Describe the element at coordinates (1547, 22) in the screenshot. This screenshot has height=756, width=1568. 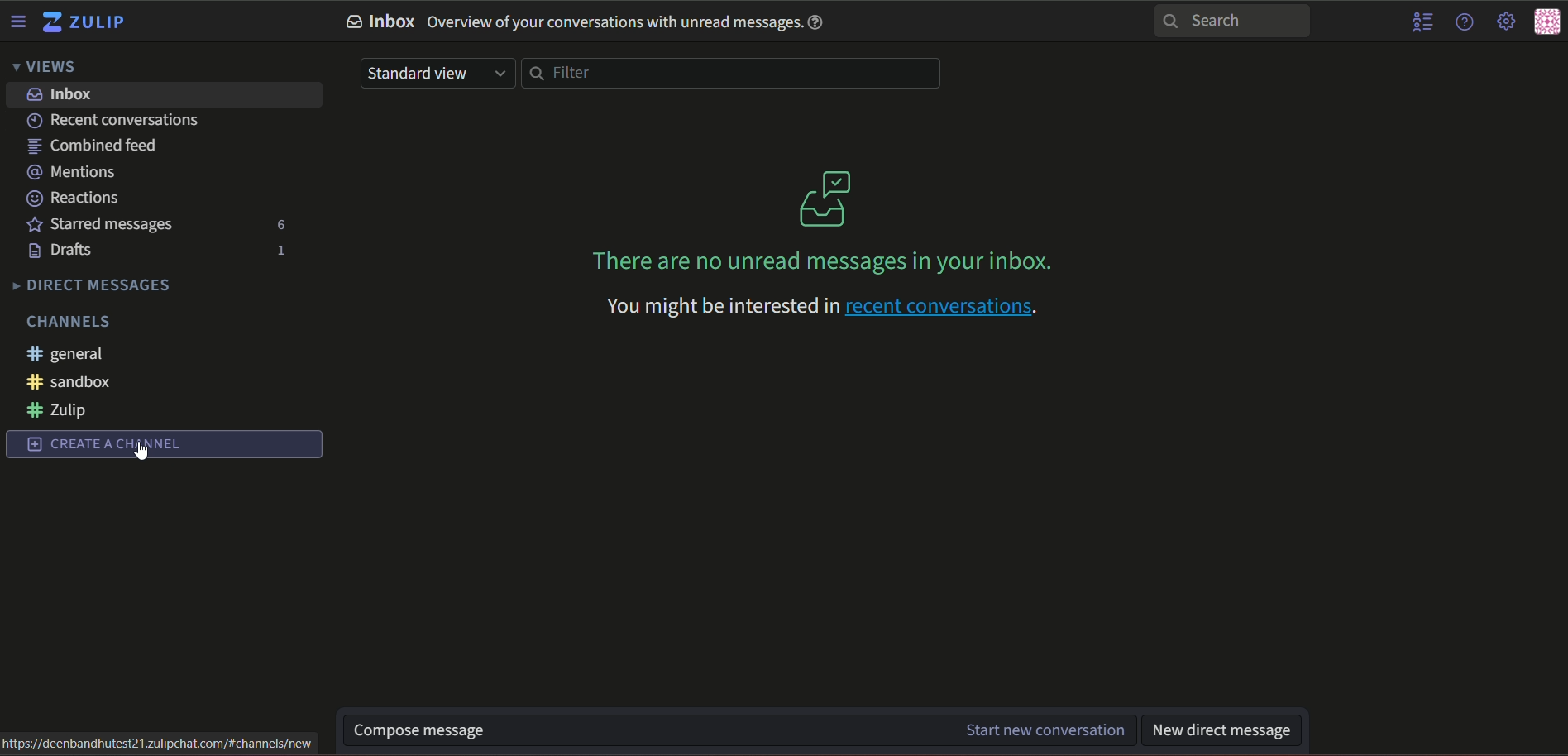
I see `icon` at that location.